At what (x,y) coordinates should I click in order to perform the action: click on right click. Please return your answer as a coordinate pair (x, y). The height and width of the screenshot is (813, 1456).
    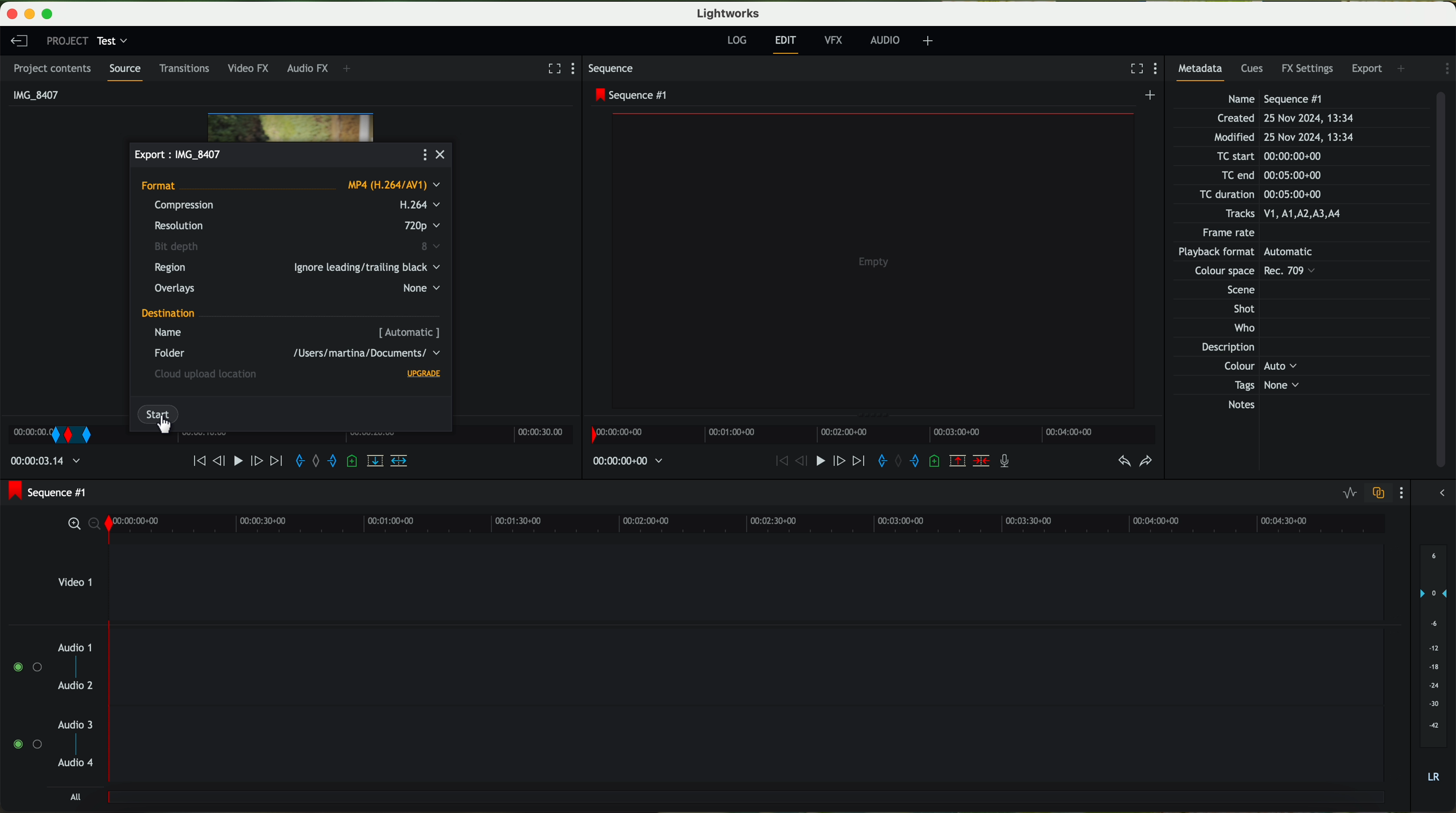
    Looking at the image, I should click on (54, 435).